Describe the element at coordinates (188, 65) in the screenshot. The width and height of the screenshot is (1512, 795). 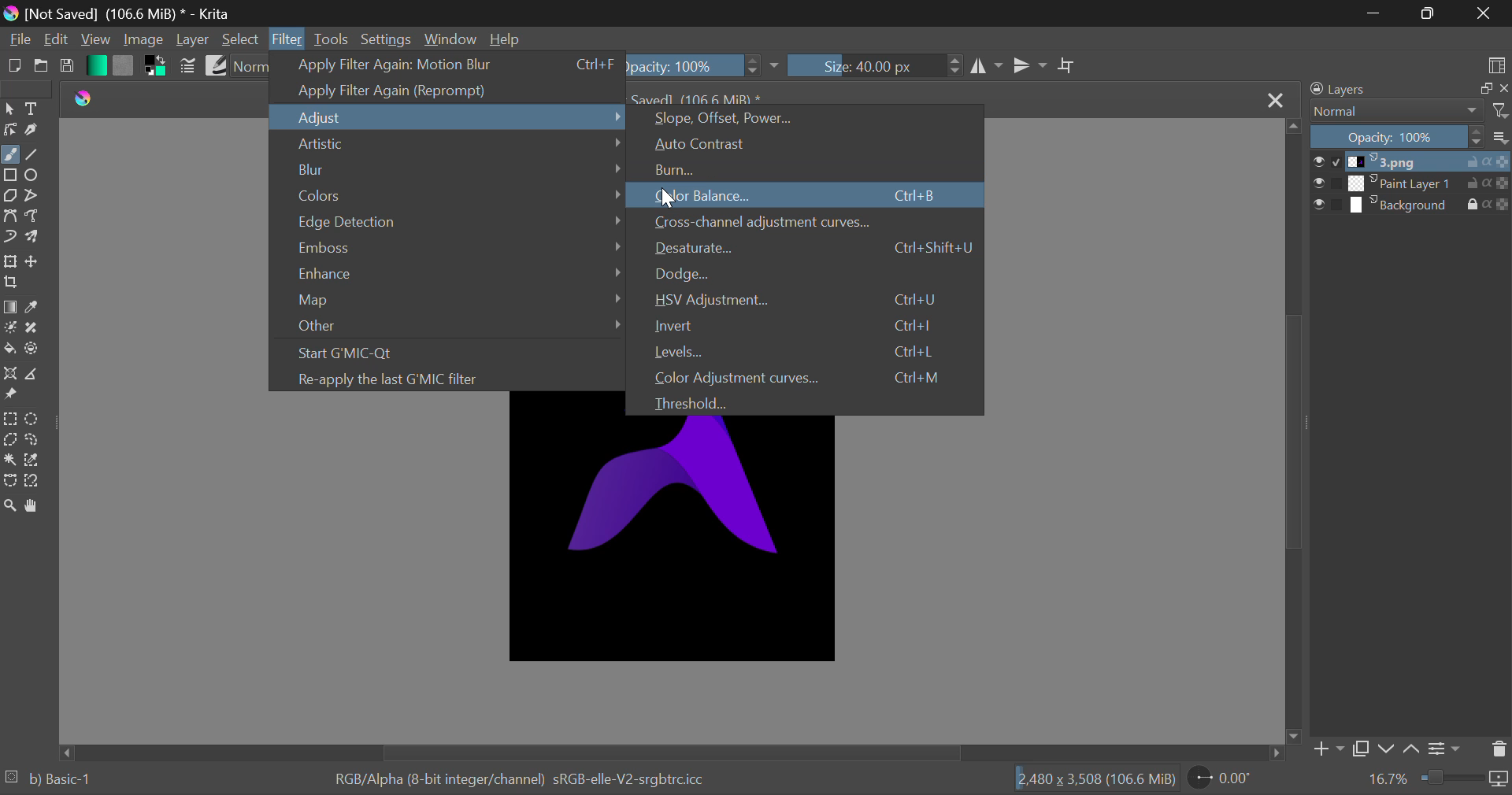
I see `Brush Settings` at that location.